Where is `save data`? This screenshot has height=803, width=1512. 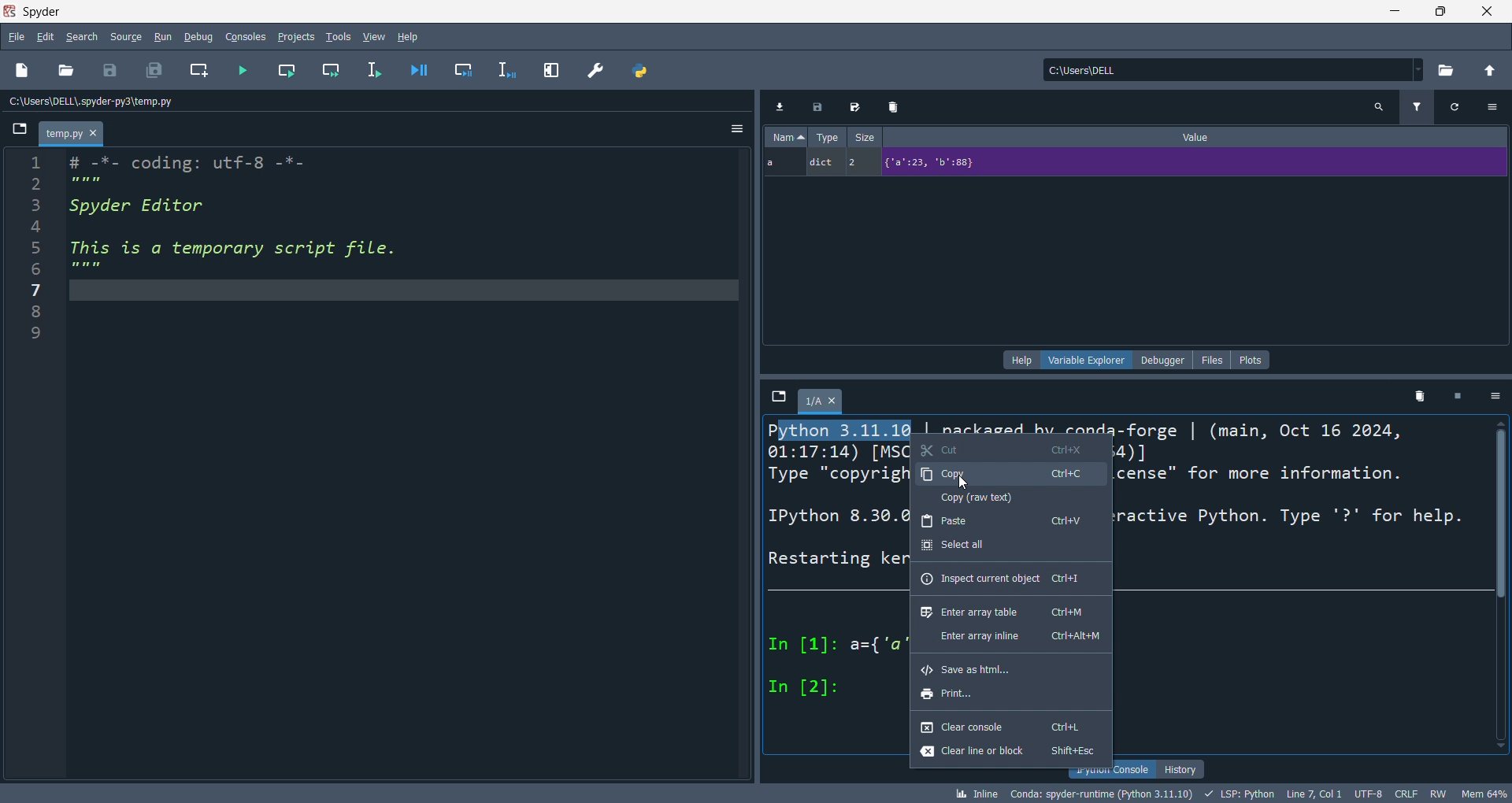 save data is located at coordinates (820, 105).